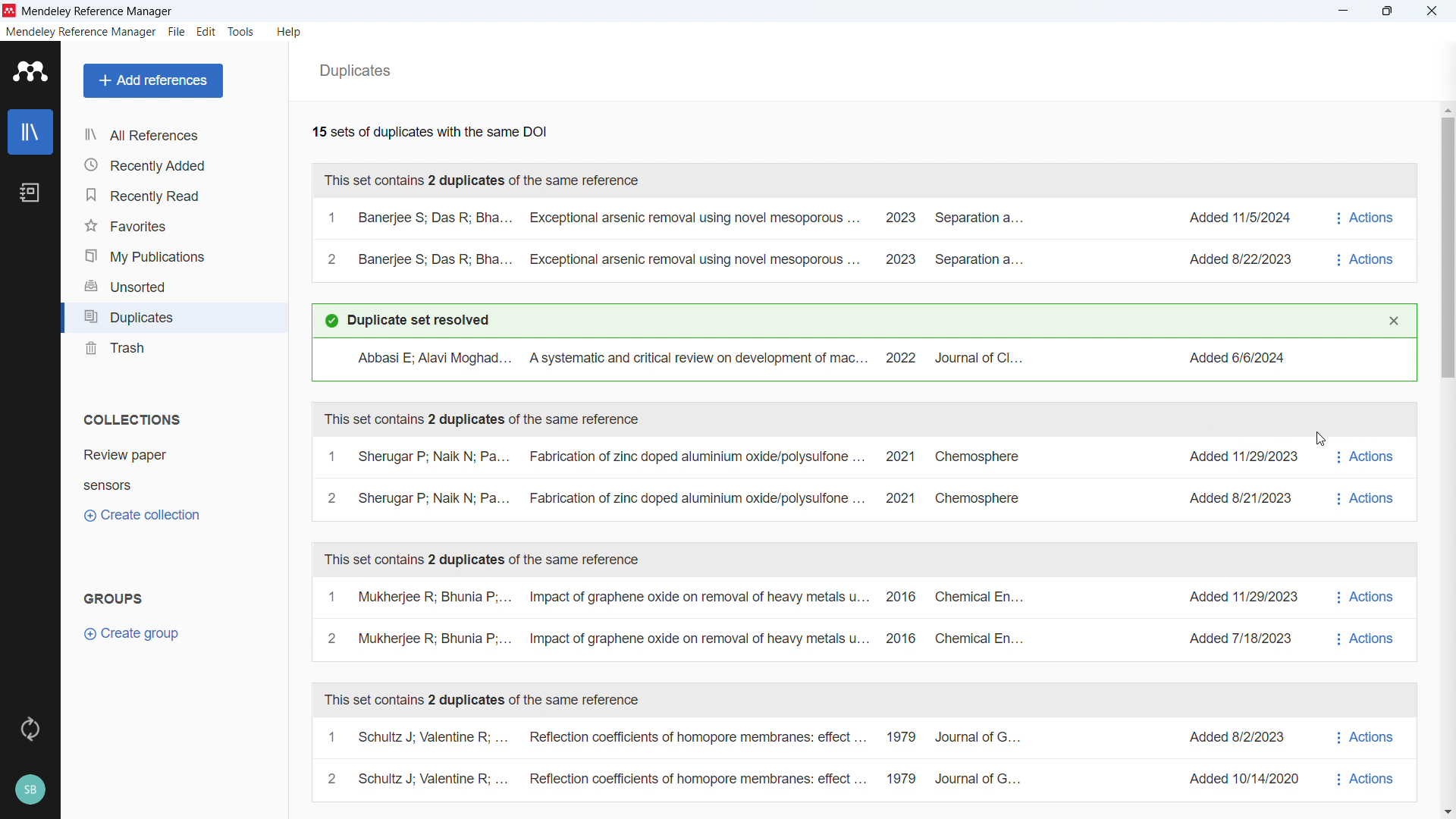 The height and width of the screenshot is (819, 1456). What do you see at coordinates (356, 71) in the screenshot?
I see `Duplicates ` at bounding box center [356, 71].